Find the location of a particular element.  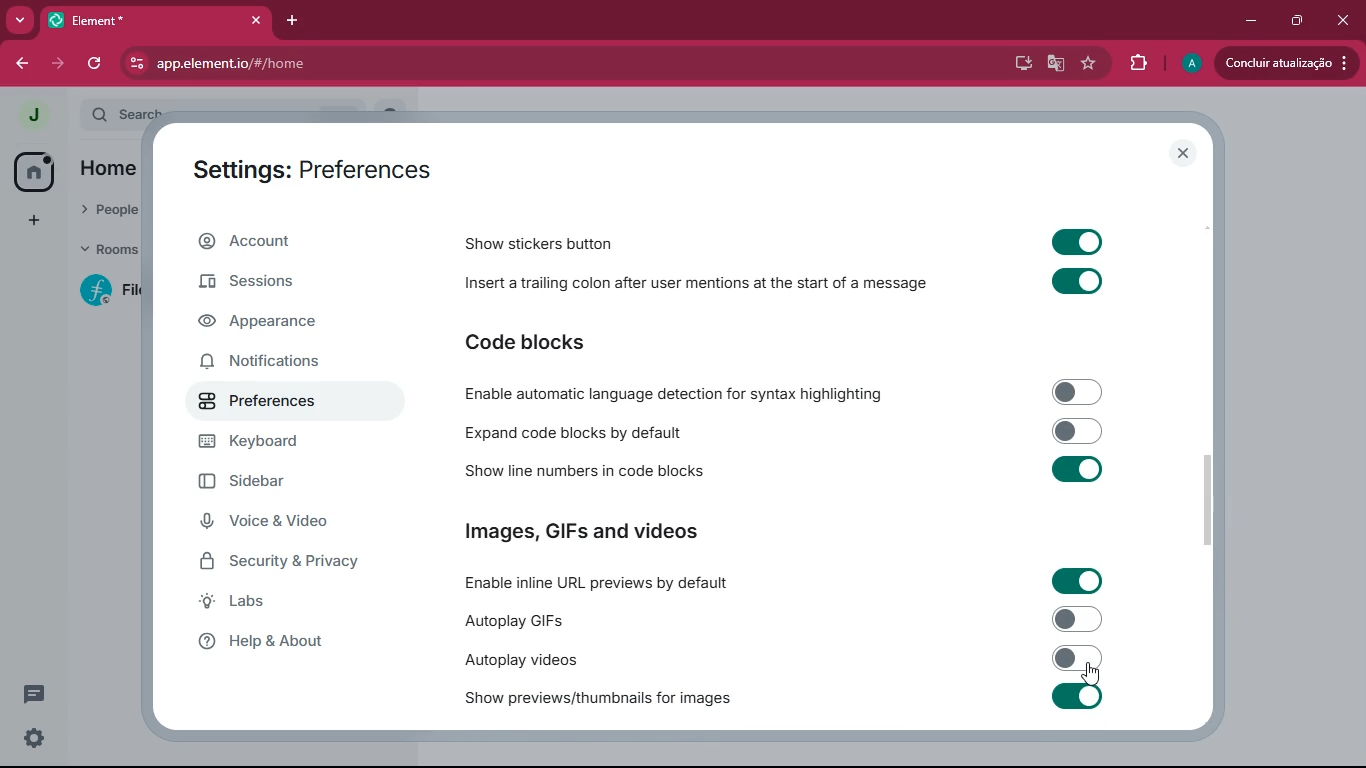

rooms is located at coordinates (106, 251).